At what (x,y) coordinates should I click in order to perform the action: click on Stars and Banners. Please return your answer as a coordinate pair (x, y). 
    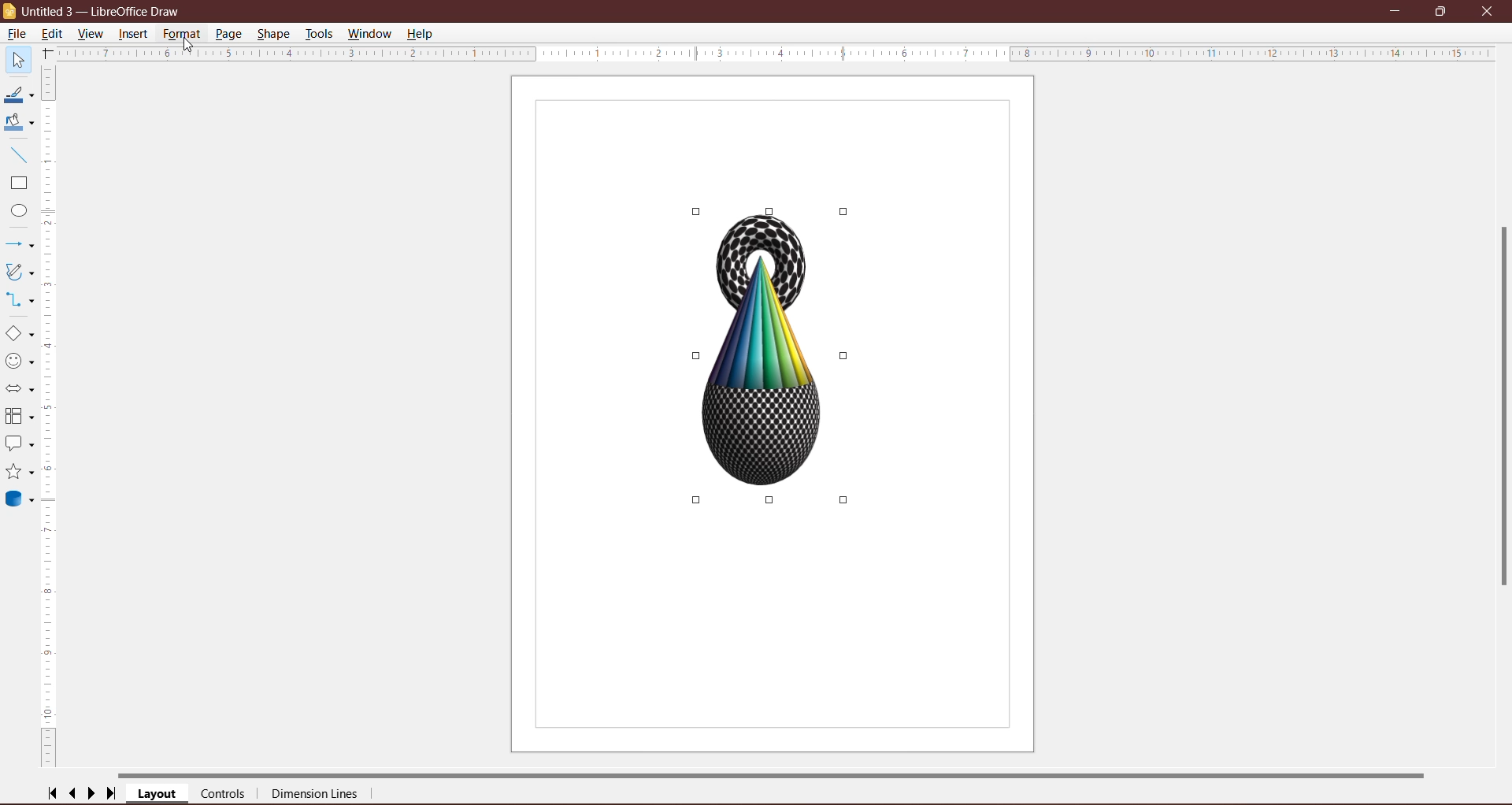
    Looking at the image, I should click on (20, 472).